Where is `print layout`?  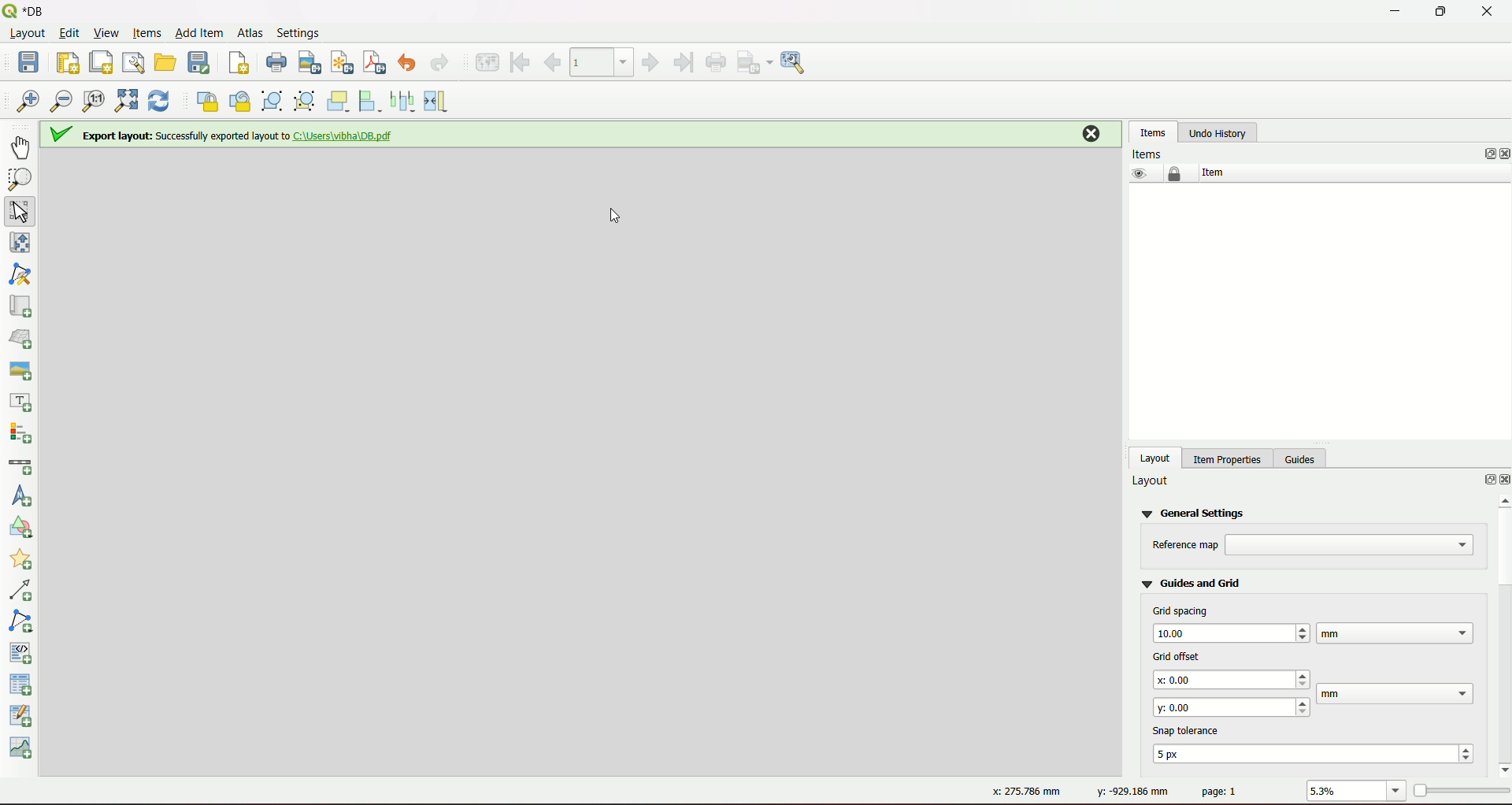
print layout is located at coordinates (275, 64).